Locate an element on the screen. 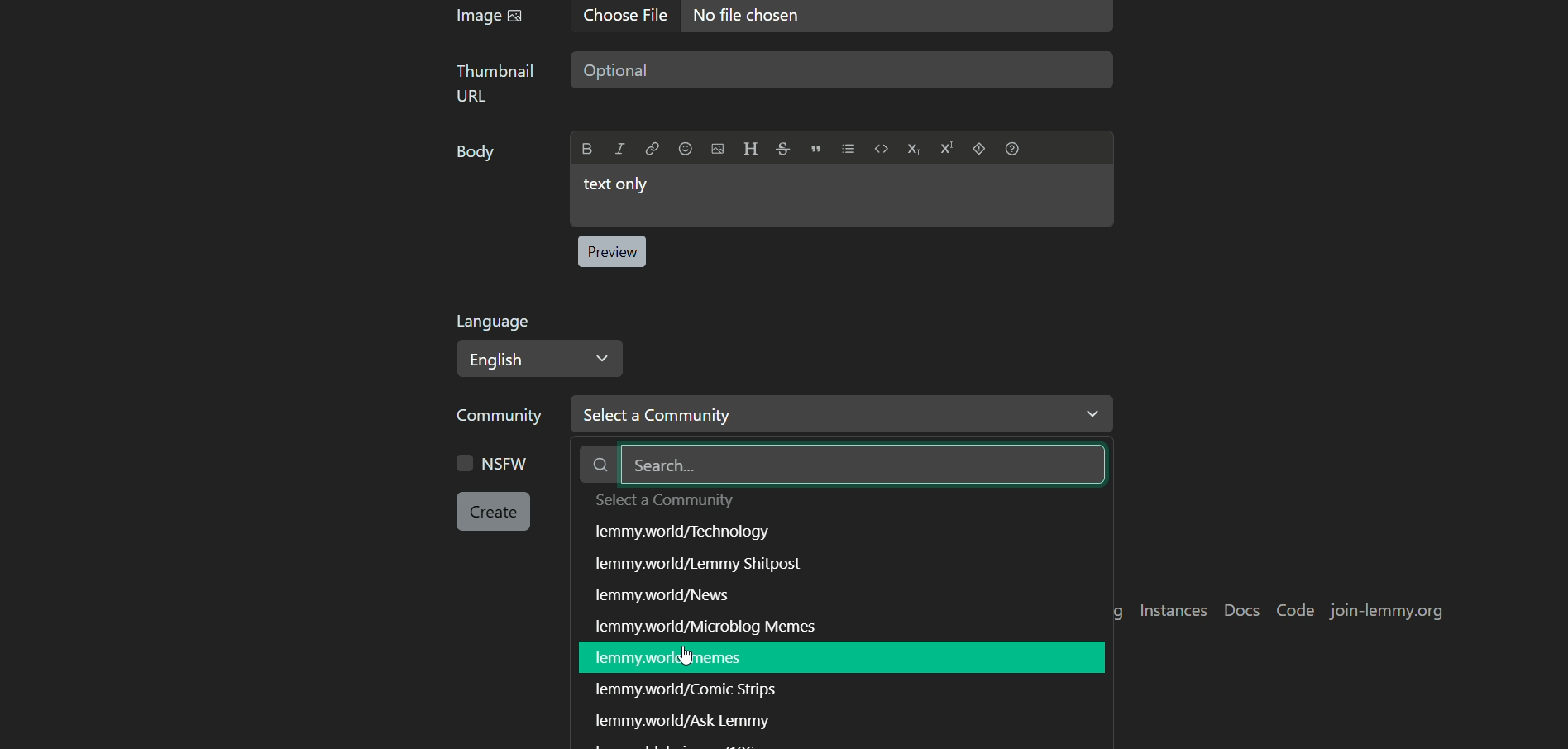  cursor is located at coordinates (687, 656).